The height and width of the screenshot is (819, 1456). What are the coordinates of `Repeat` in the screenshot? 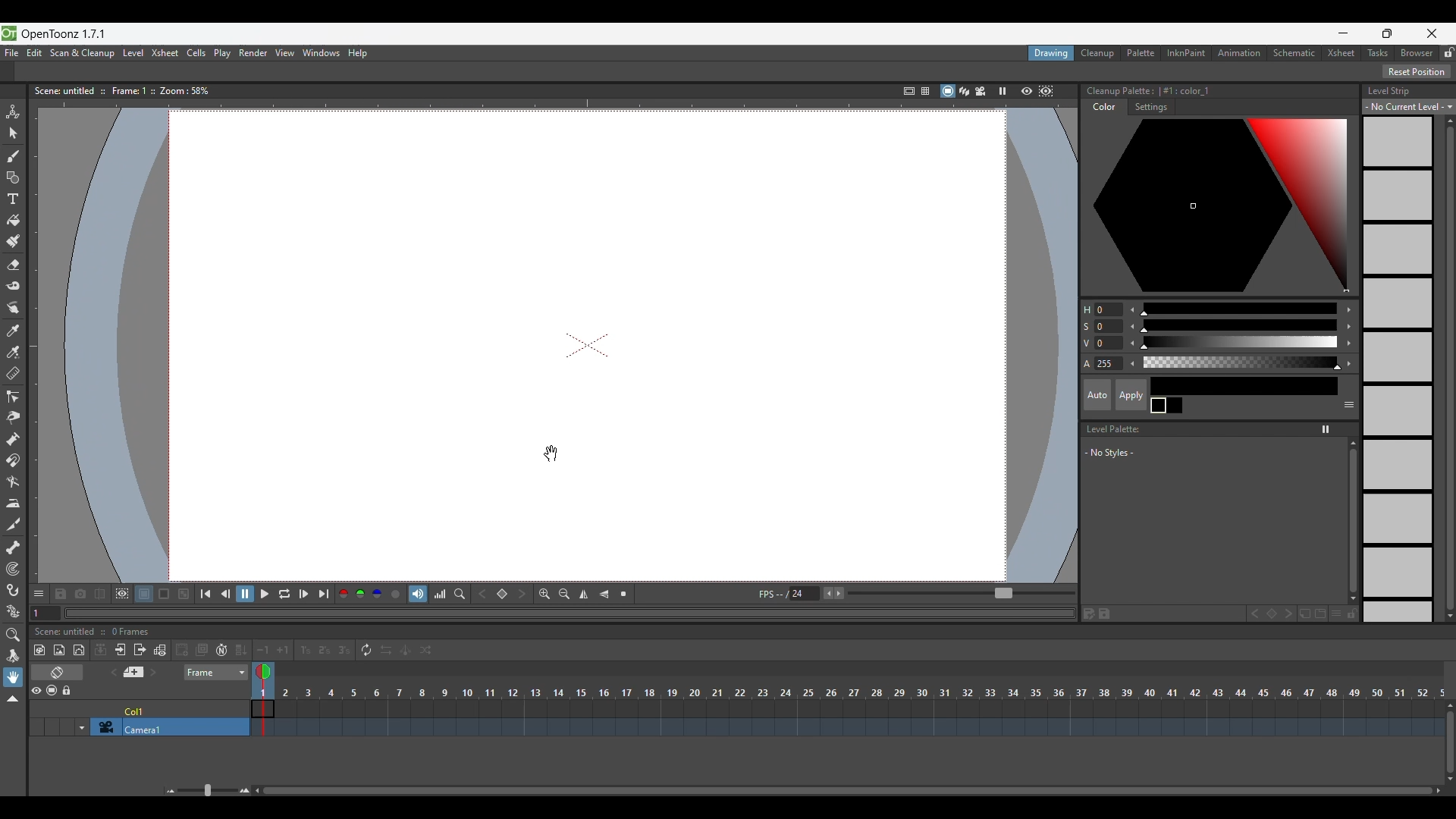 It's located at (366, 650).